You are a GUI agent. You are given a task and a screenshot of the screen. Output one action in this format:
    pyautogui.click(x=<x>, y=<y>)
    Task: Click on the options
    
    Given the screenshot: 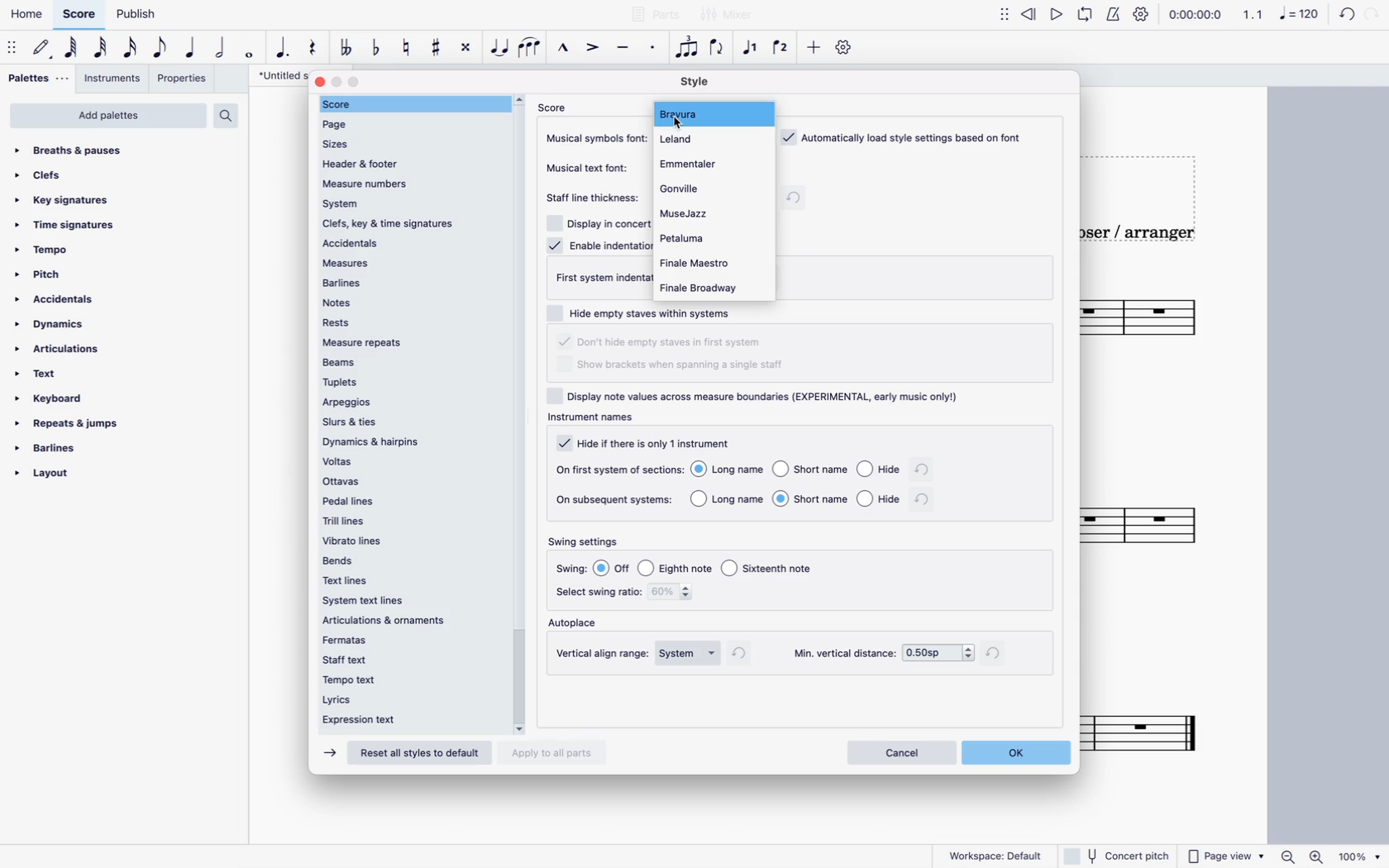 What is the action you would take?
    pyautogui.click(x=796, y=472)
    